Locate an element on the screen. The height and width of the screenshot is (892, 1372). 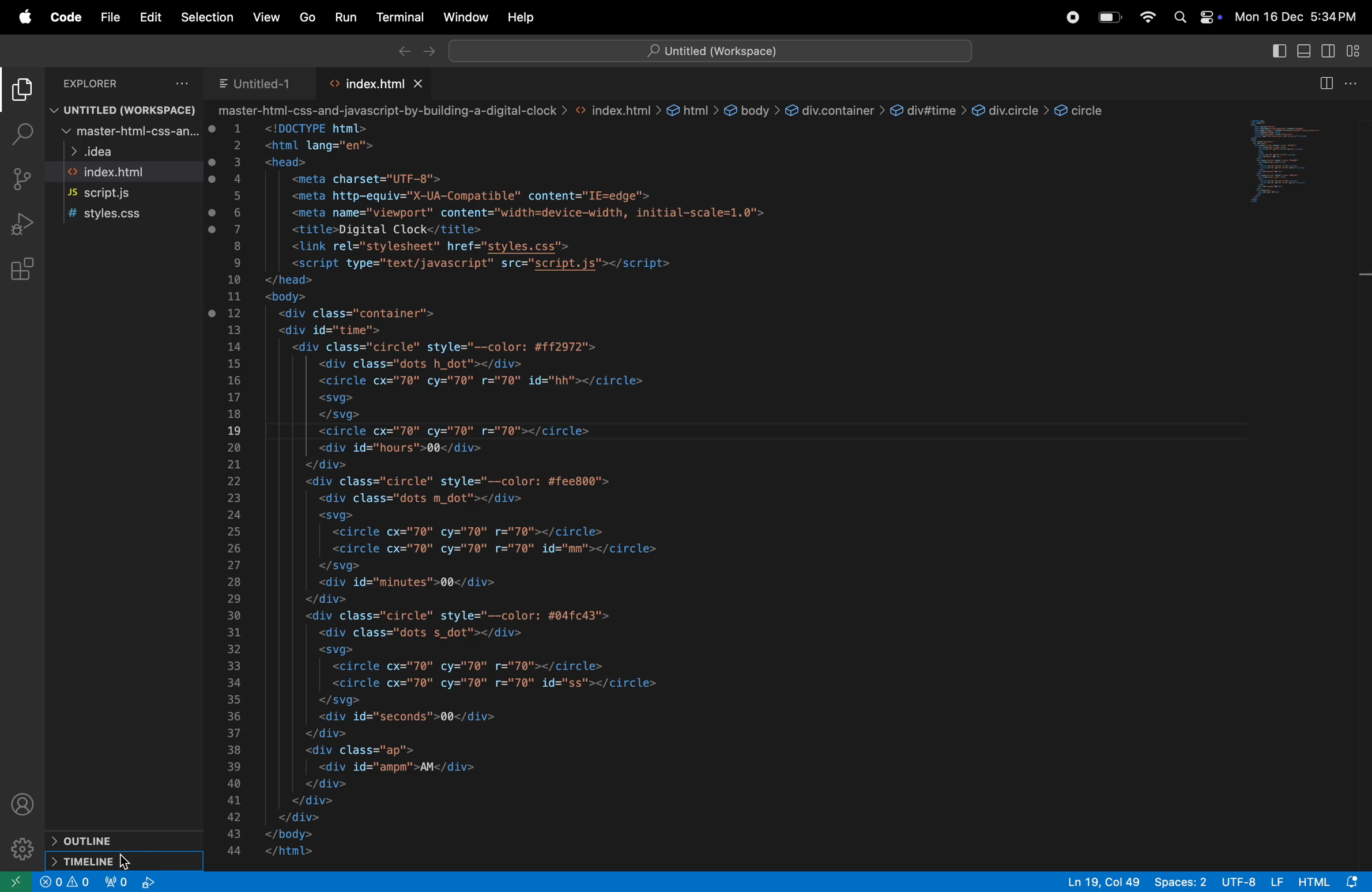
<div class="ap"> is located at coordinates (364, 749).